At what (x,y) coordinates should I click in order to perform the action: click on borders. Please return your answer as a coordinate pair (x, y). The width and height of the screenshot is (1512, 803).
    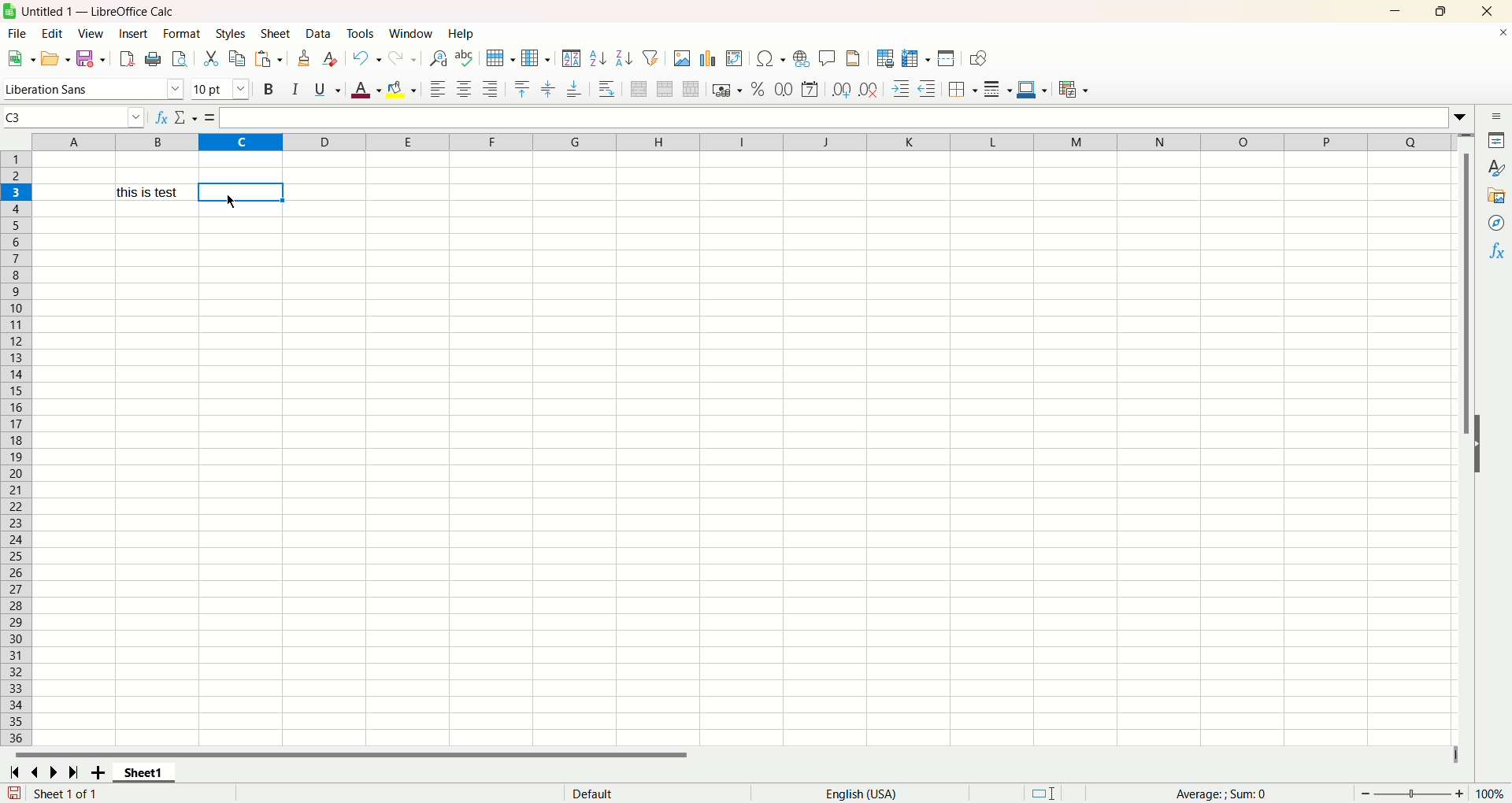
    Looking at the image, I should click on (964, 87).